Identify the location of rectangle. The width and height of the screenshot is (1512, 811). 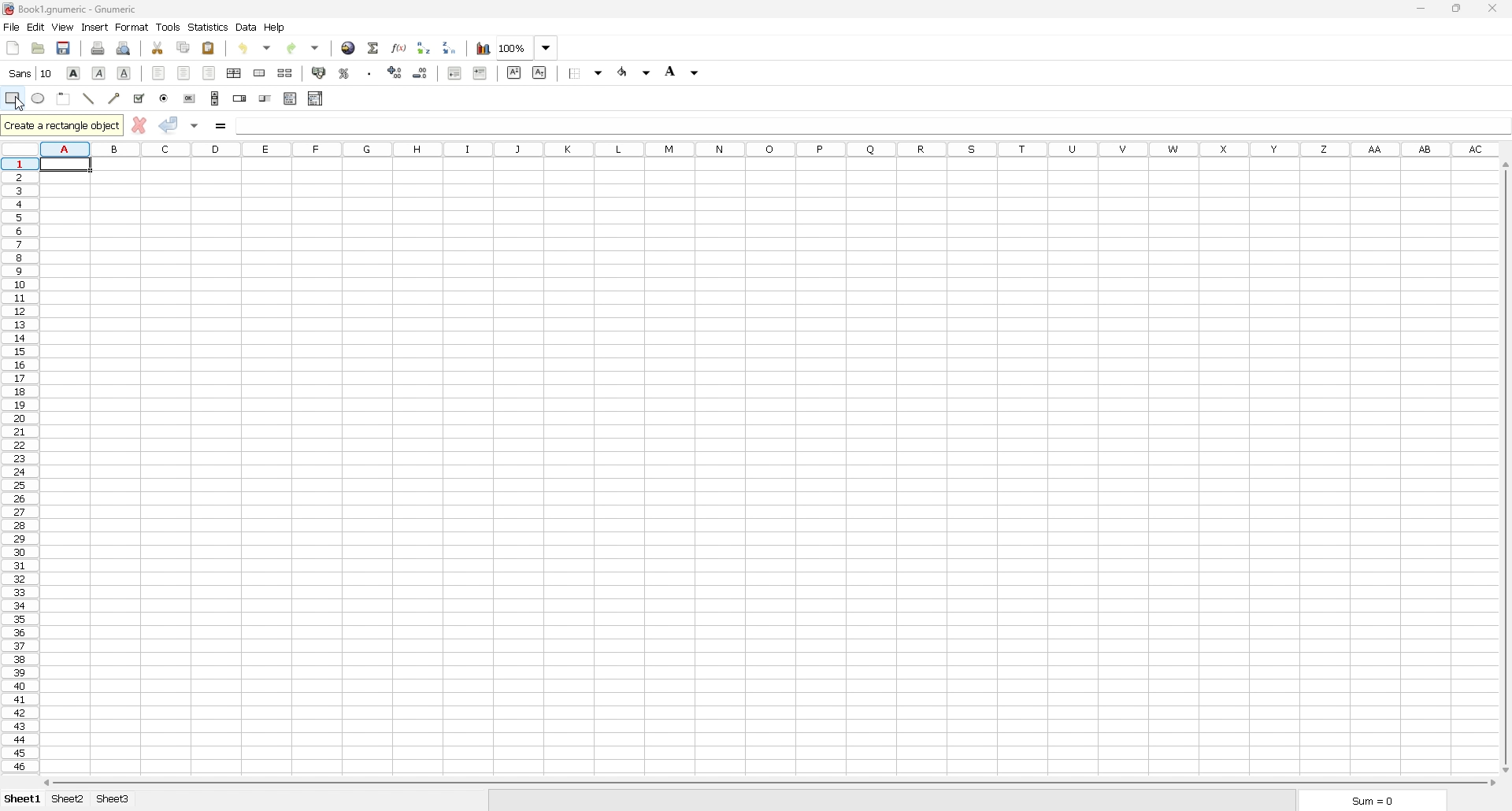
(13, 98).